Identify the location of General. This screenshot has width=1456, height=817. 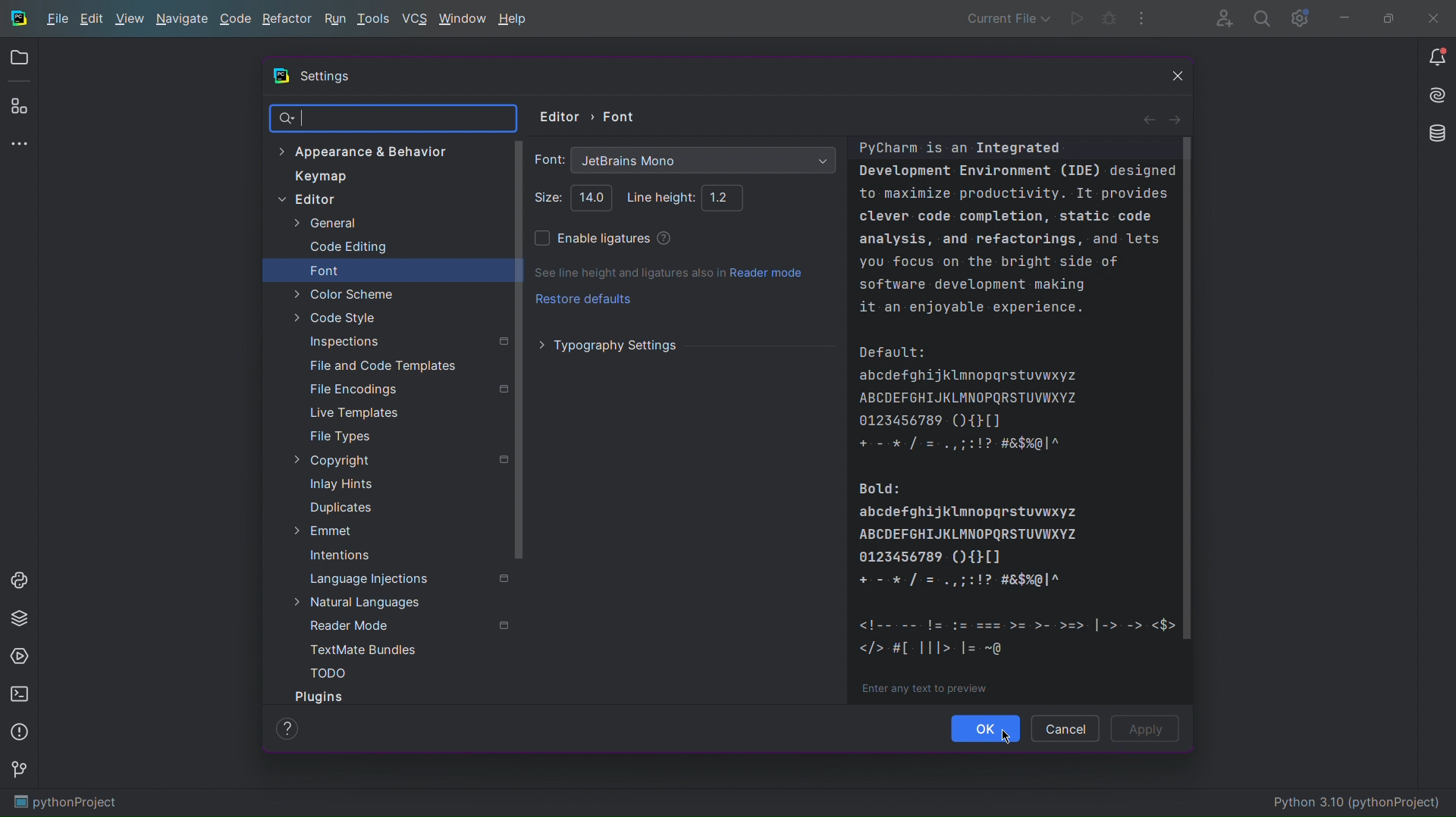
(323, 224).